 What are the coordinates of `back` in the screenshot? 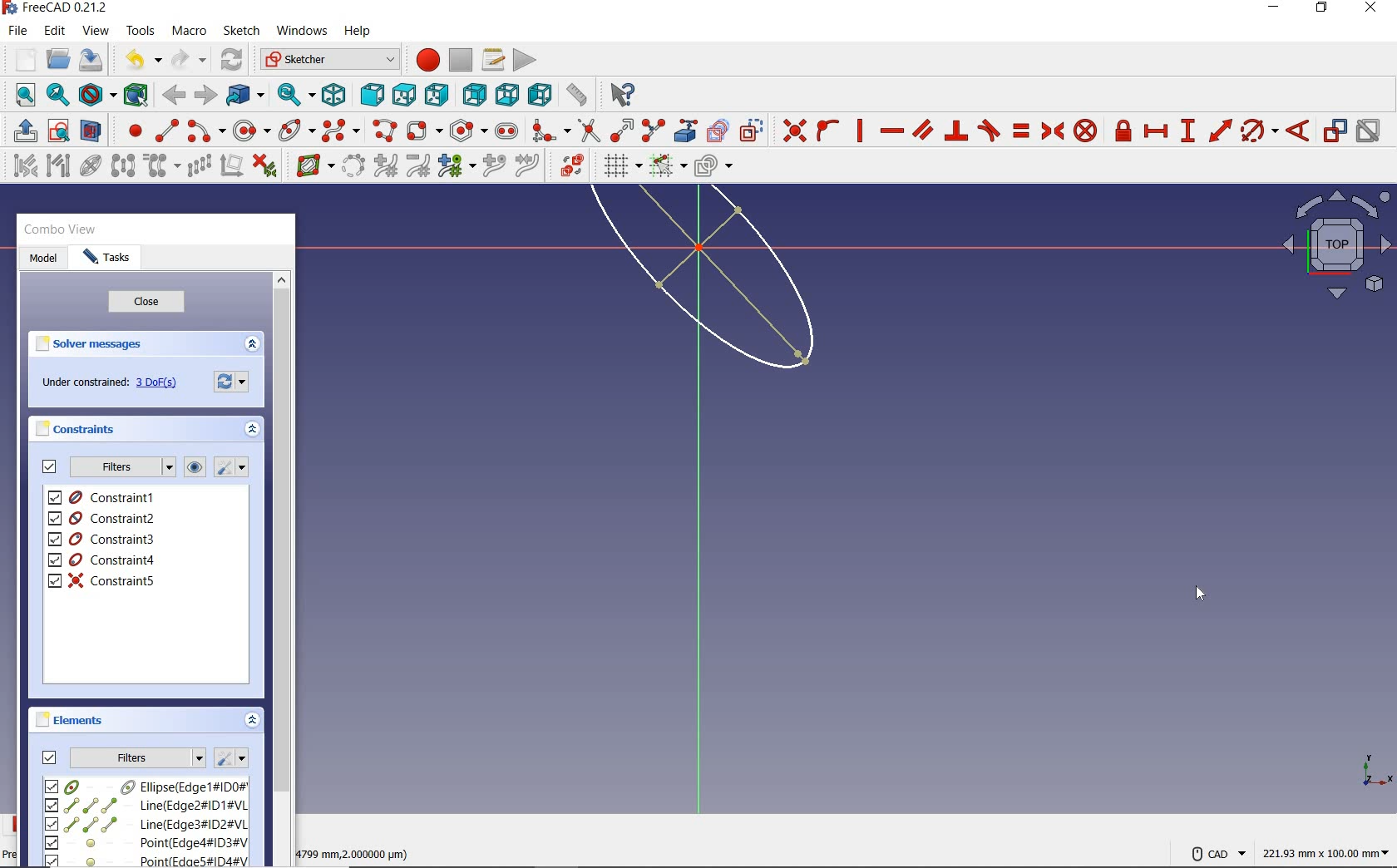 It's located at (173, 96).